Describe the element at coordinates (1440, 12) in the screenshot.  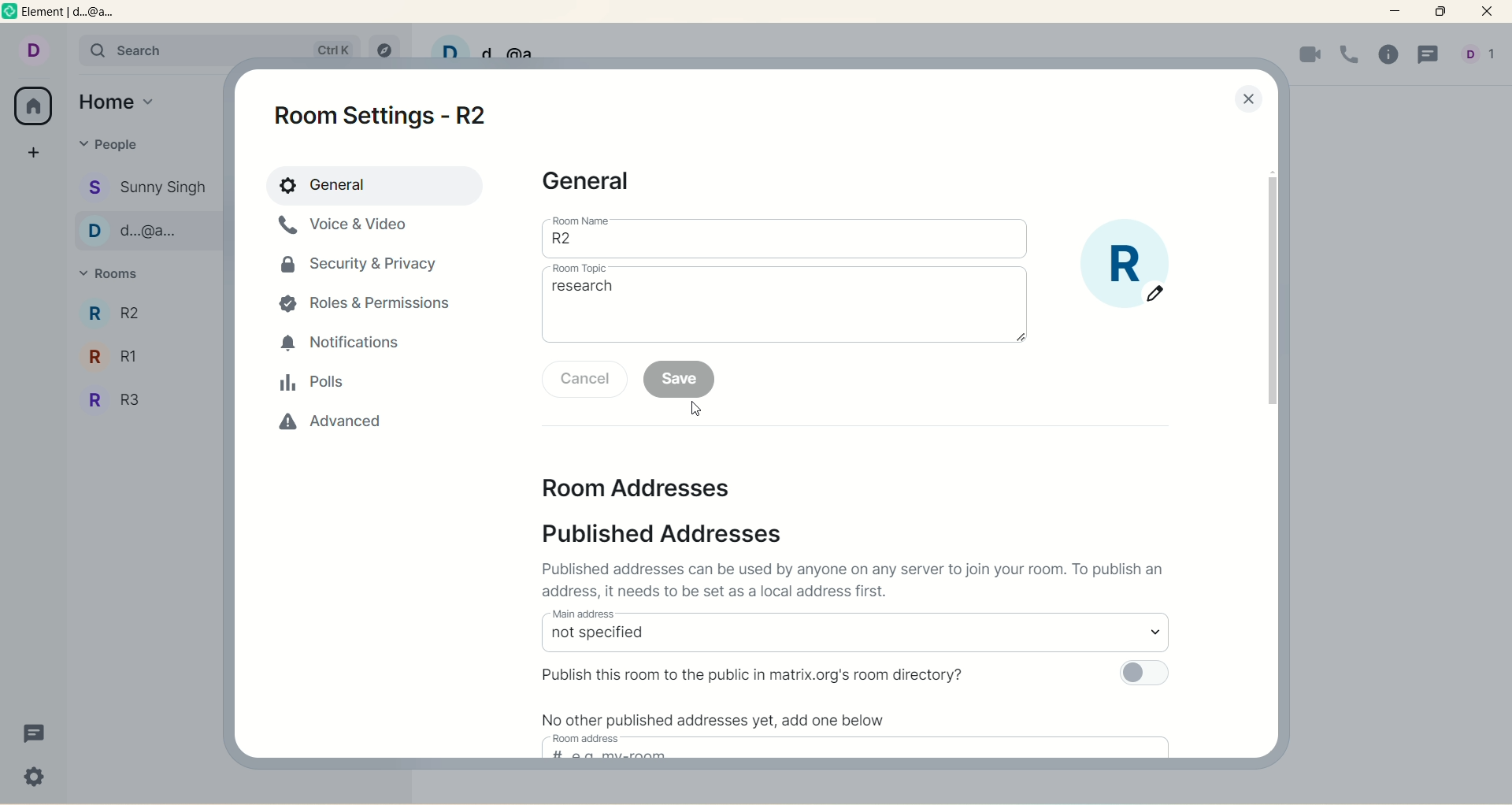
I see `maximum` at that location.